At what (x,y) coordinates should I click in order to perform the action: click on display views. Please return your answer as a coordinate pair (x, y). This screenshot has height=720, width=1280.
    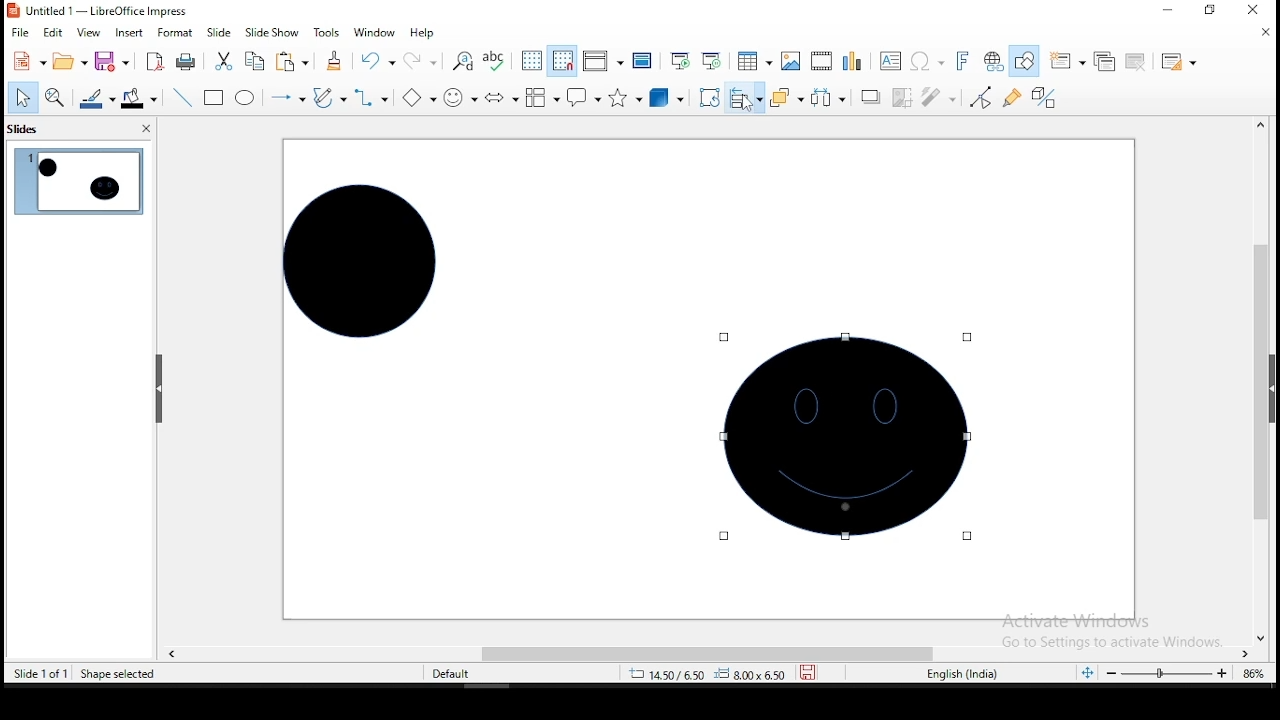
    Looking at the image, I should click on (602, 61).